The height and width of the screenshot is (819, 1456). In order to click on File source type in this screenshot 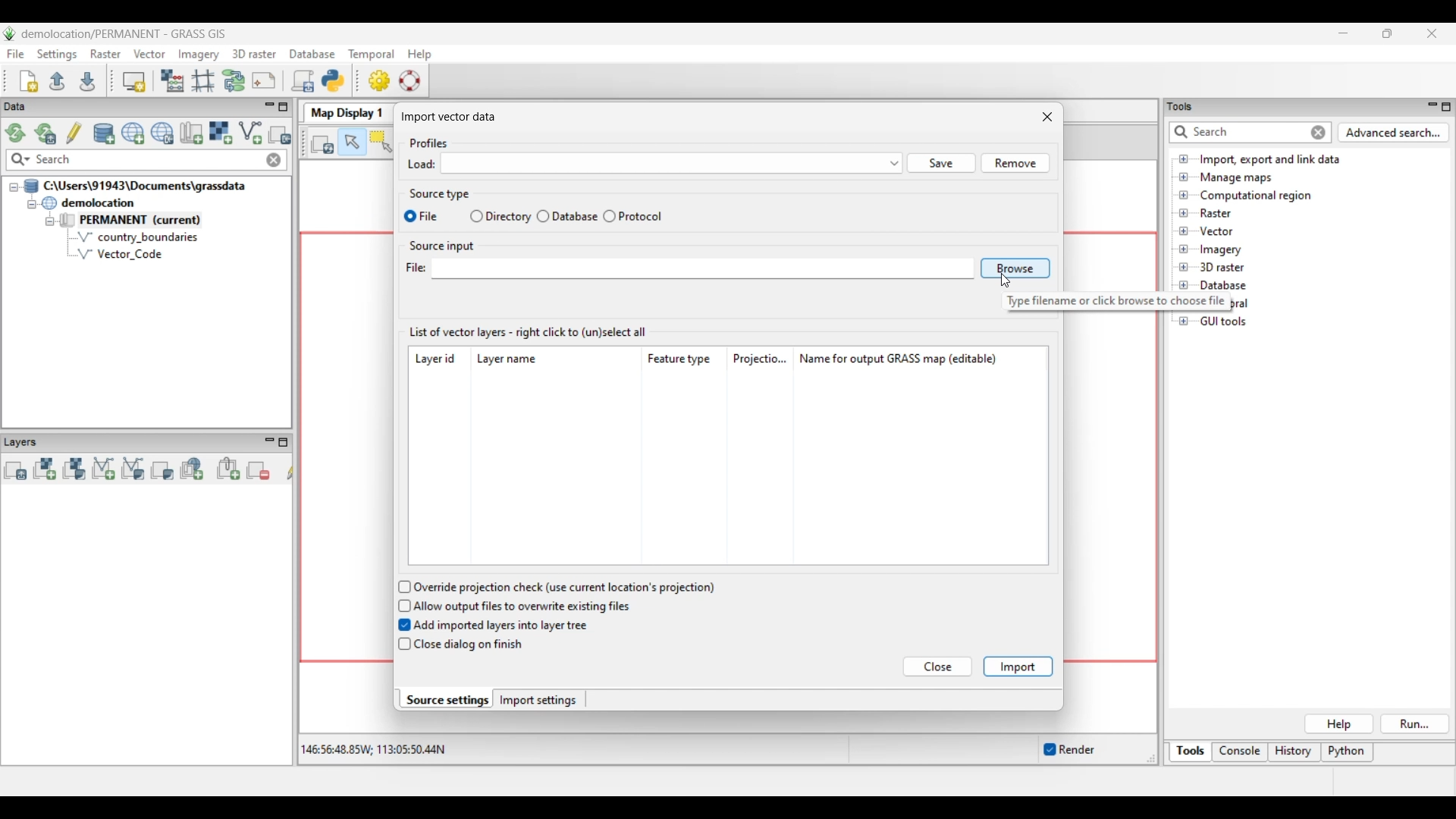, I will do `click(435, 217)`.